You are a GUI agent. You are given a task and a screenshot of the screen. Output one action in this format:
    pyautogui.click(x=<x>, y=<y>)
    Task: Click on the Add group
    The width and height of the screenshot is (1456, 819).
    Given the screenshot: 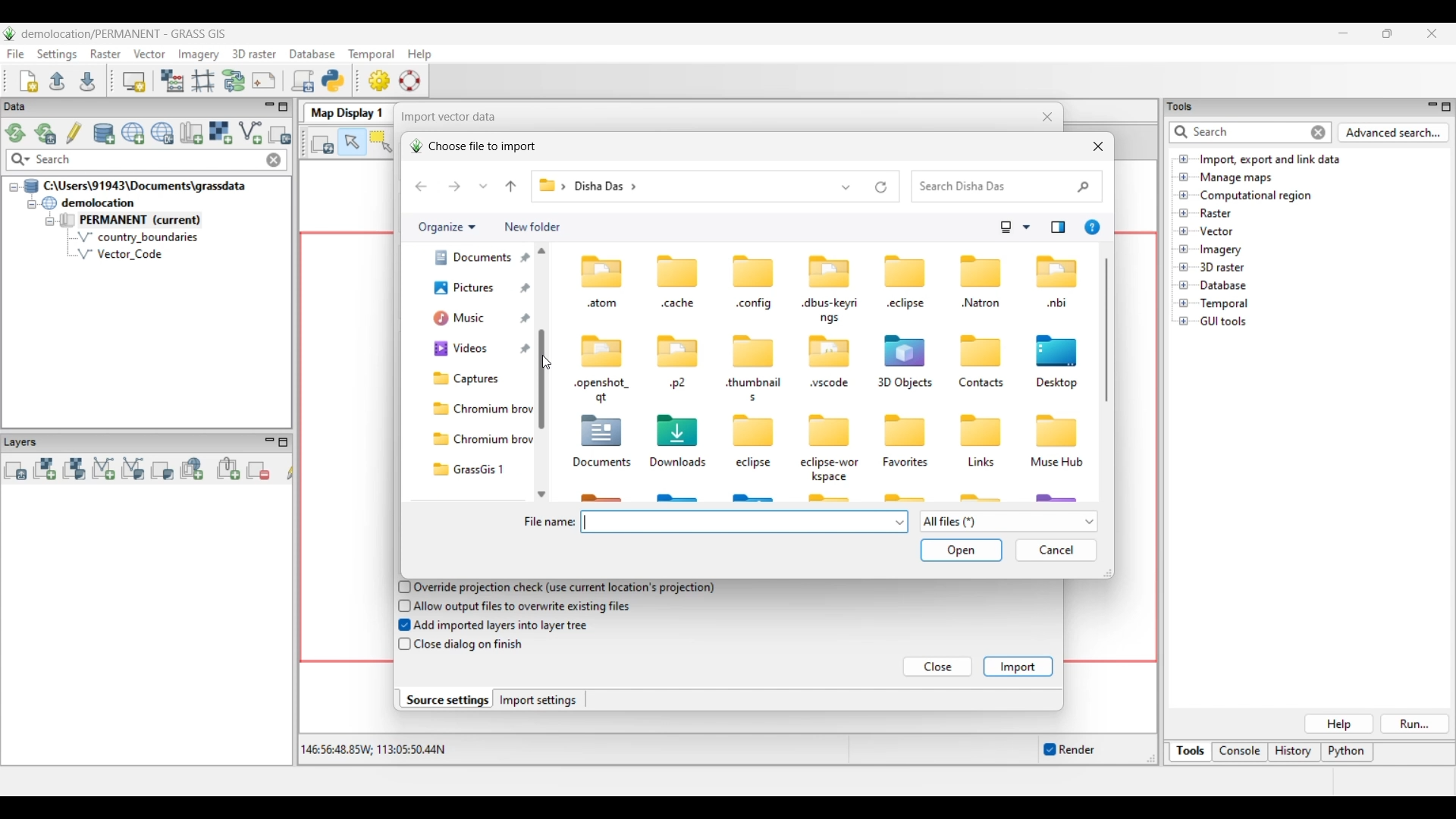 What is the action you would take?
    pyautogui.click(x=228, y=469)
    